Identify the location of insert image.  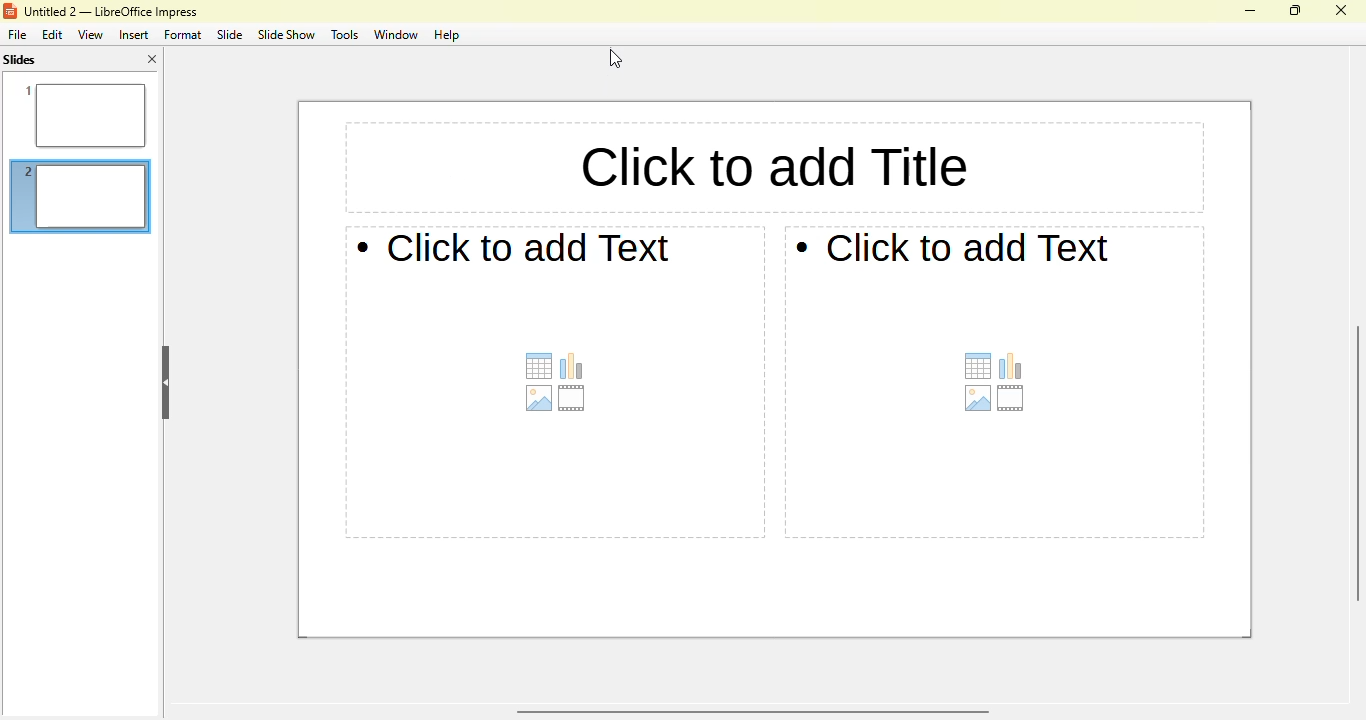
(980, 398).